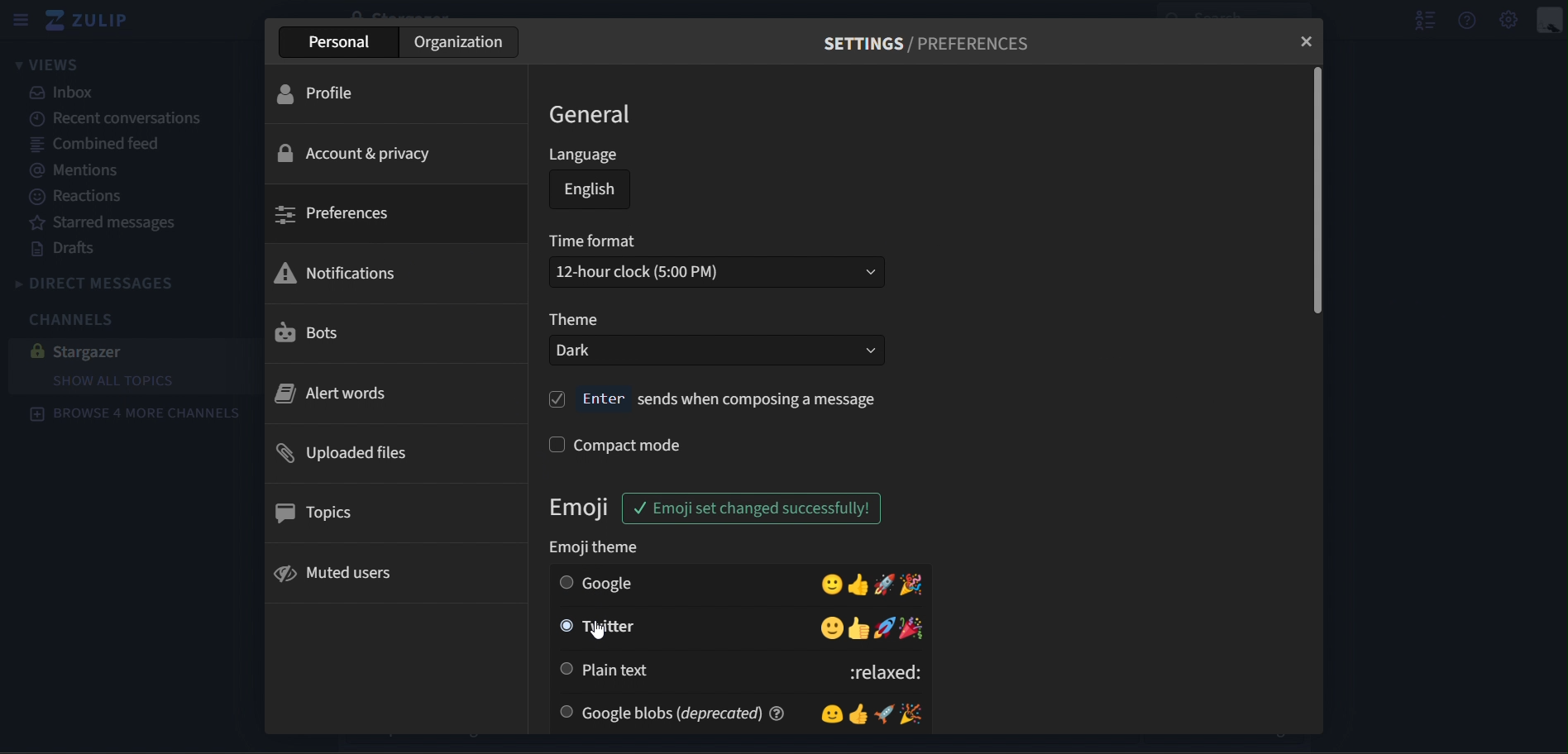 Image resolution: width=1568 pixels, height=754 pixels. Describe the element at coordinates (67, 249) in the screenshot. I see `drafts` at that location.